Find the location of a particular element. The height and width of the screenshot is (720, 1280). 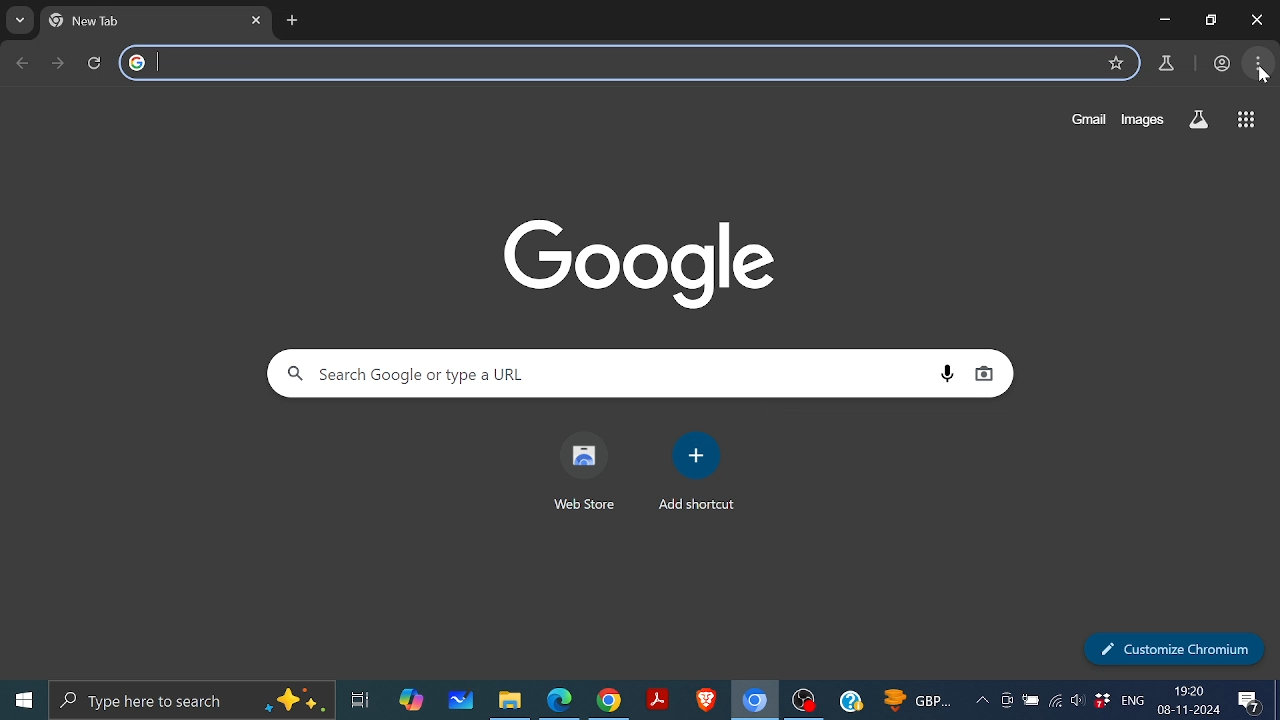

new tab is located at coordinates (138, 21).